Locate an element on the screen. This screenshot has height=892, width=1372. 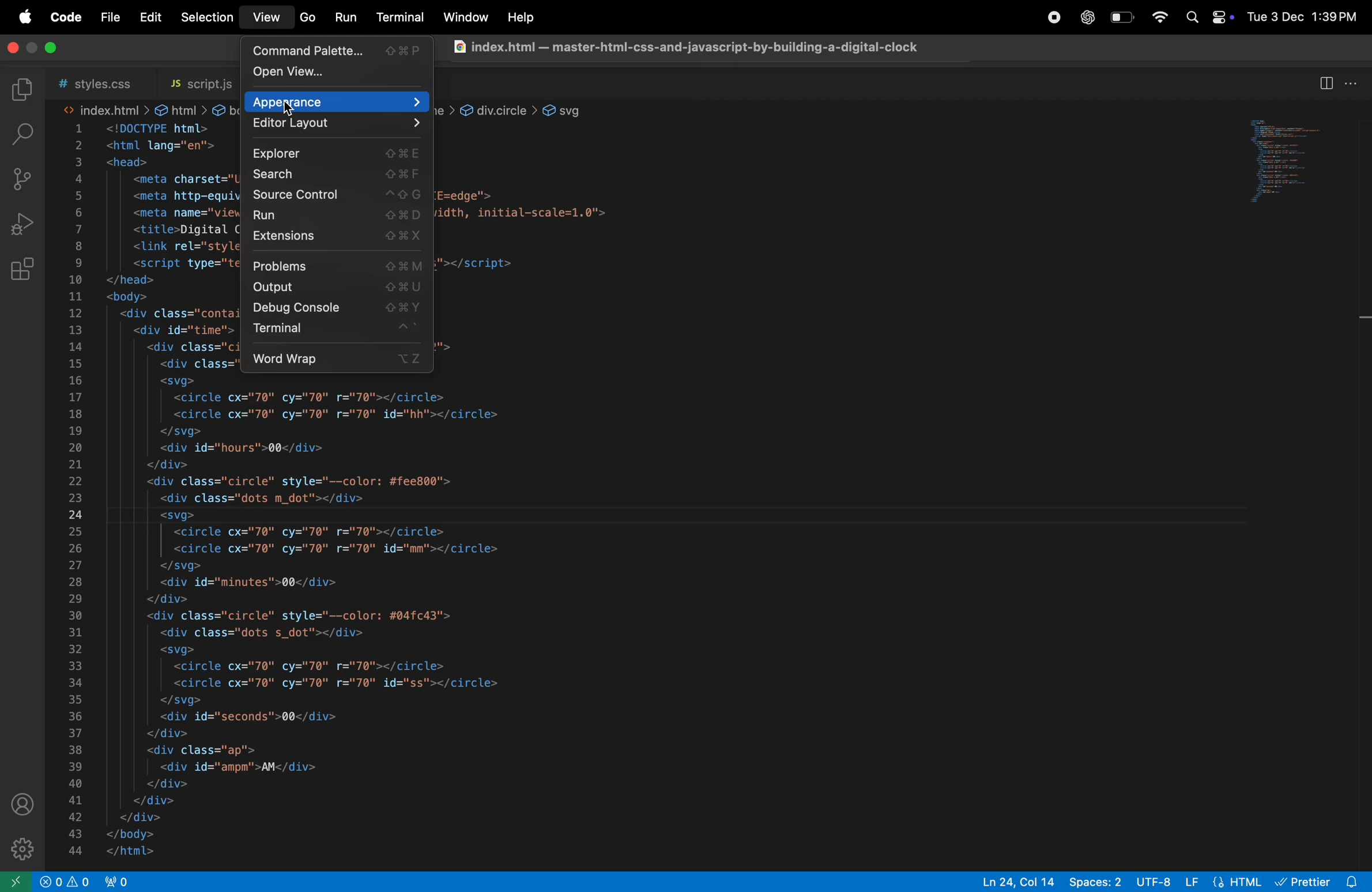
settings is located at coordinates (24, 846).